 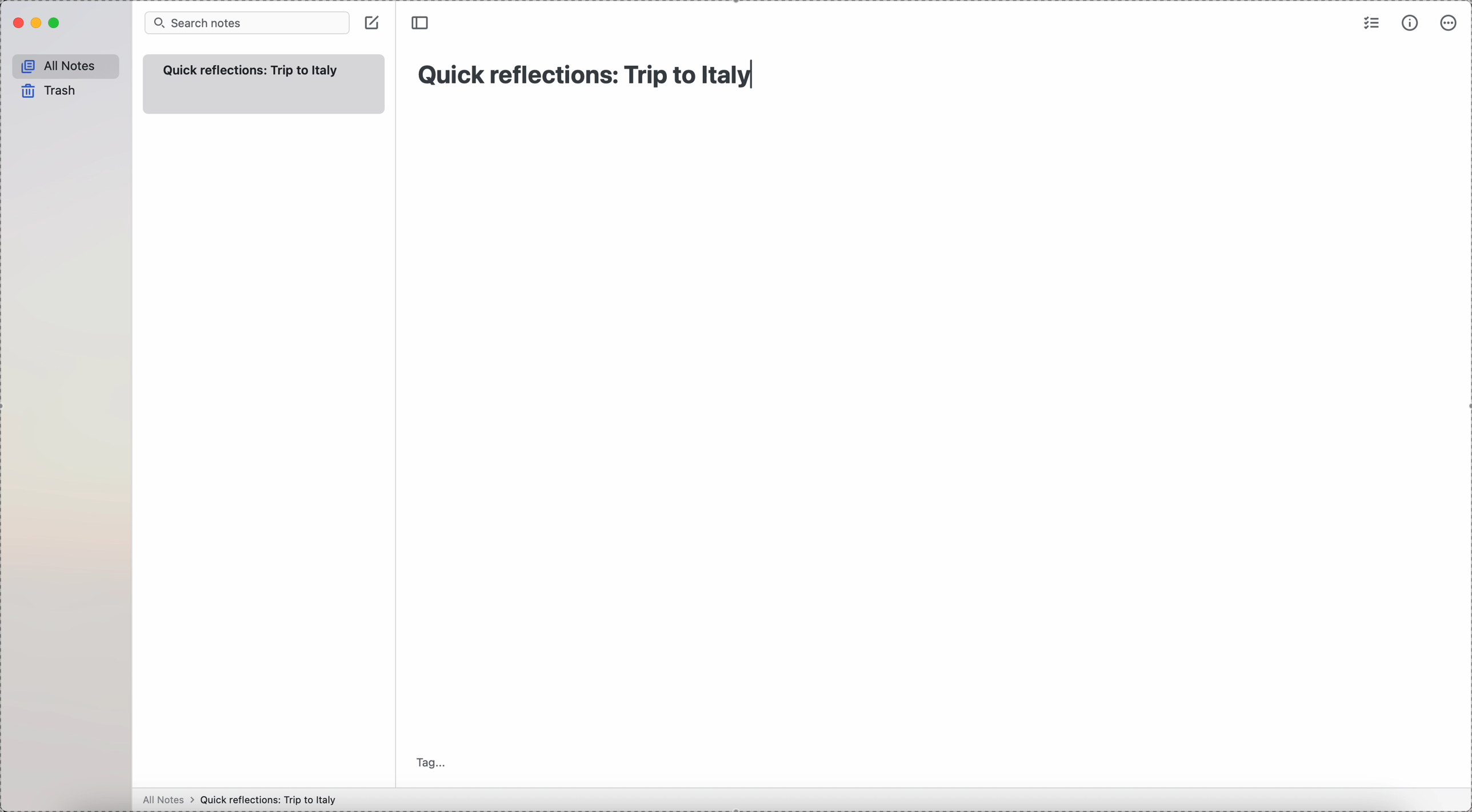 I want to click on maximize, so click(x=56, y=23).